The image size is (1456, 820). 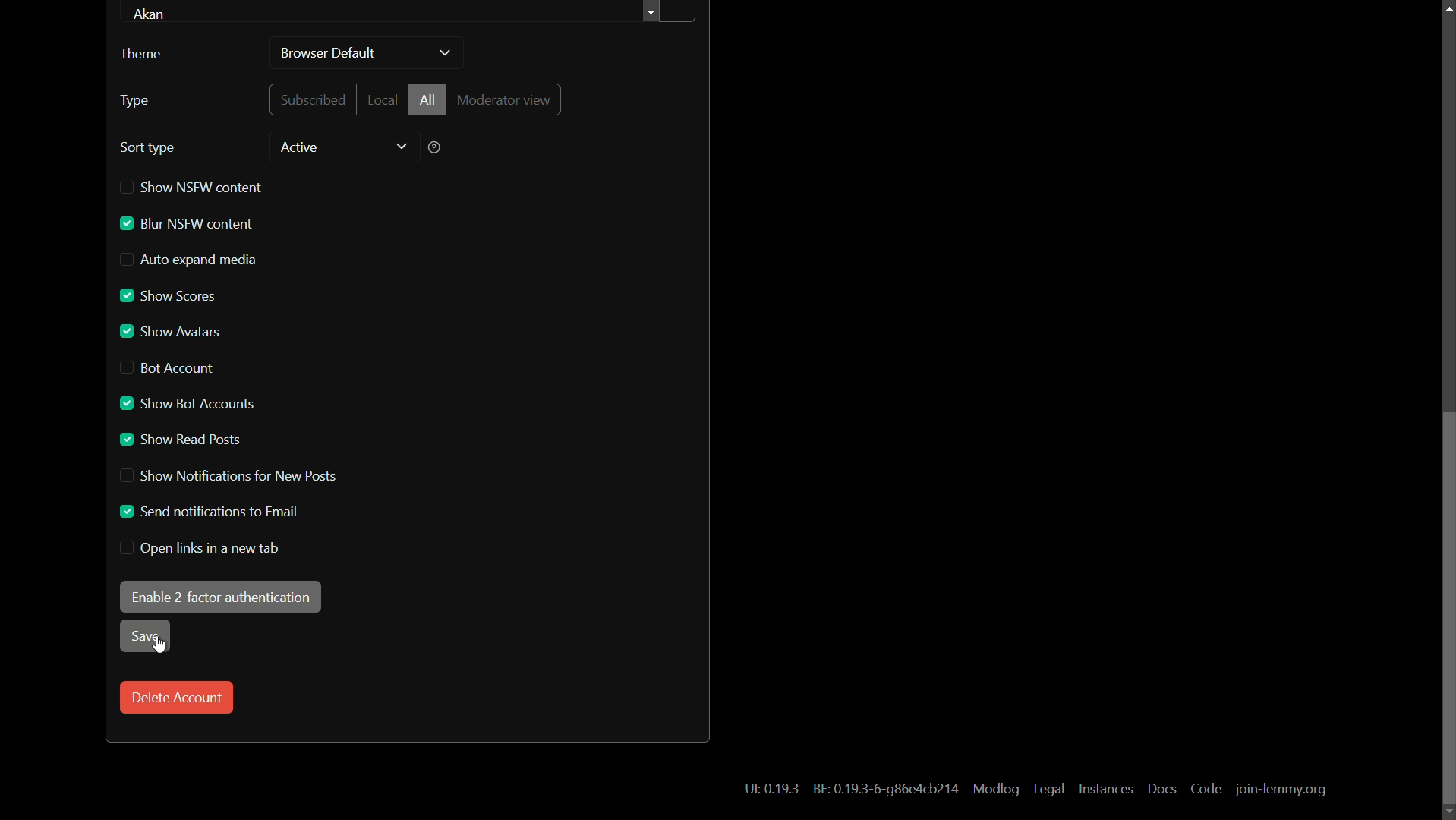 What do you see at coordinates (310, 99) in the screenshot?
I see `subscribed` at bounding box center [310, 99].